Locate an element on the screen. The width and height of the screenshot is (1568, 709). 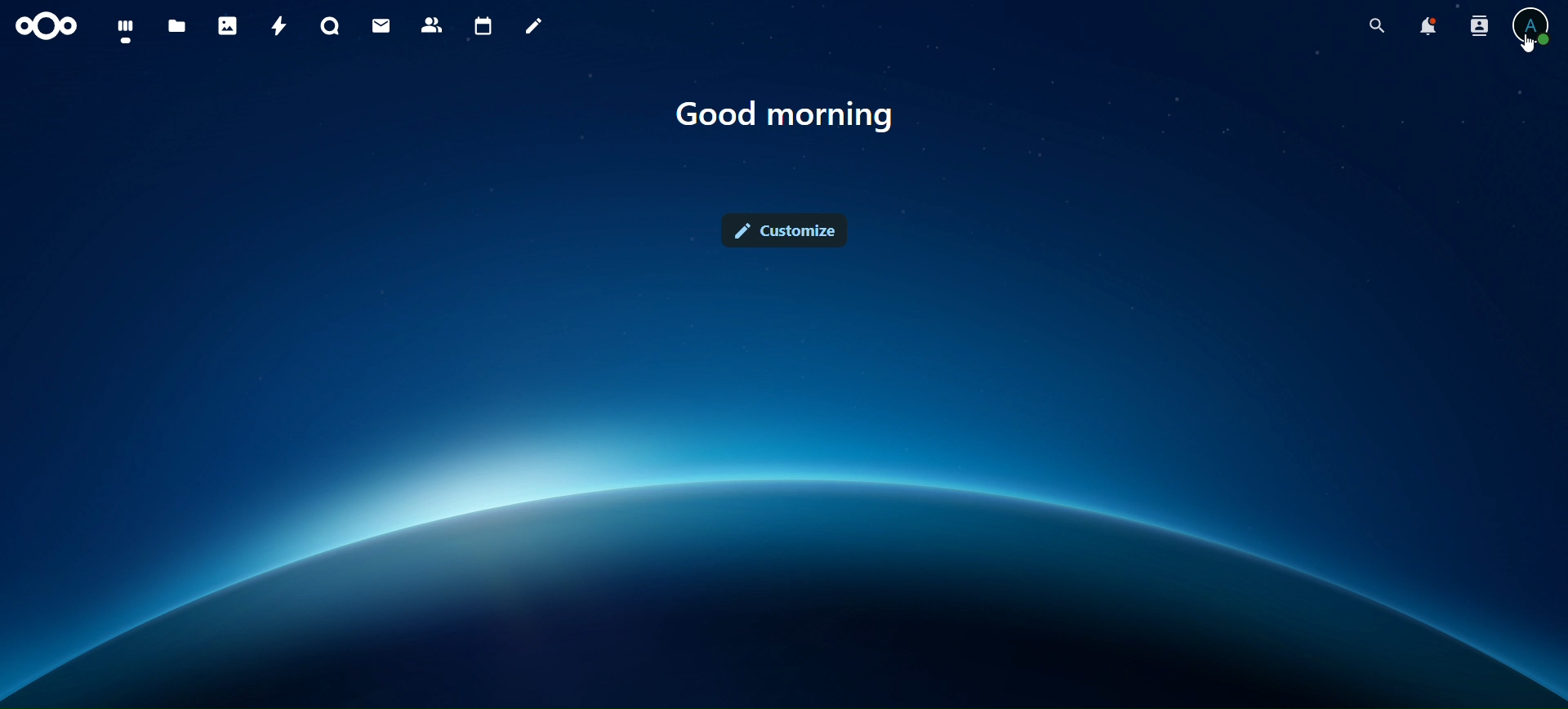
search contacts is located at coordinates (1472, 25).